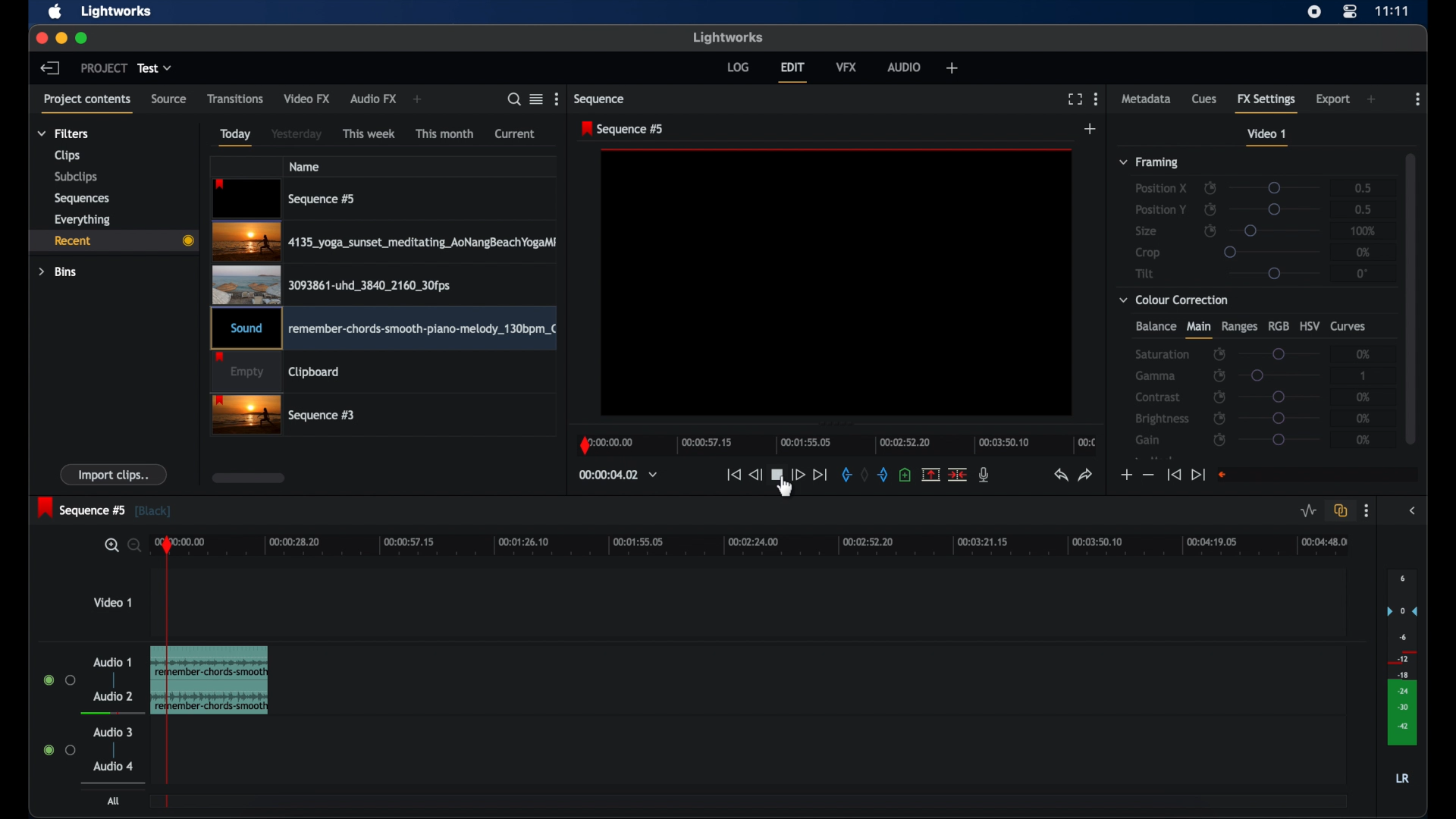 This screenshot has width=1456, height=819. Describe the element at coordinates (112, 783) in the screenshot. I see `audio 4` at that location.